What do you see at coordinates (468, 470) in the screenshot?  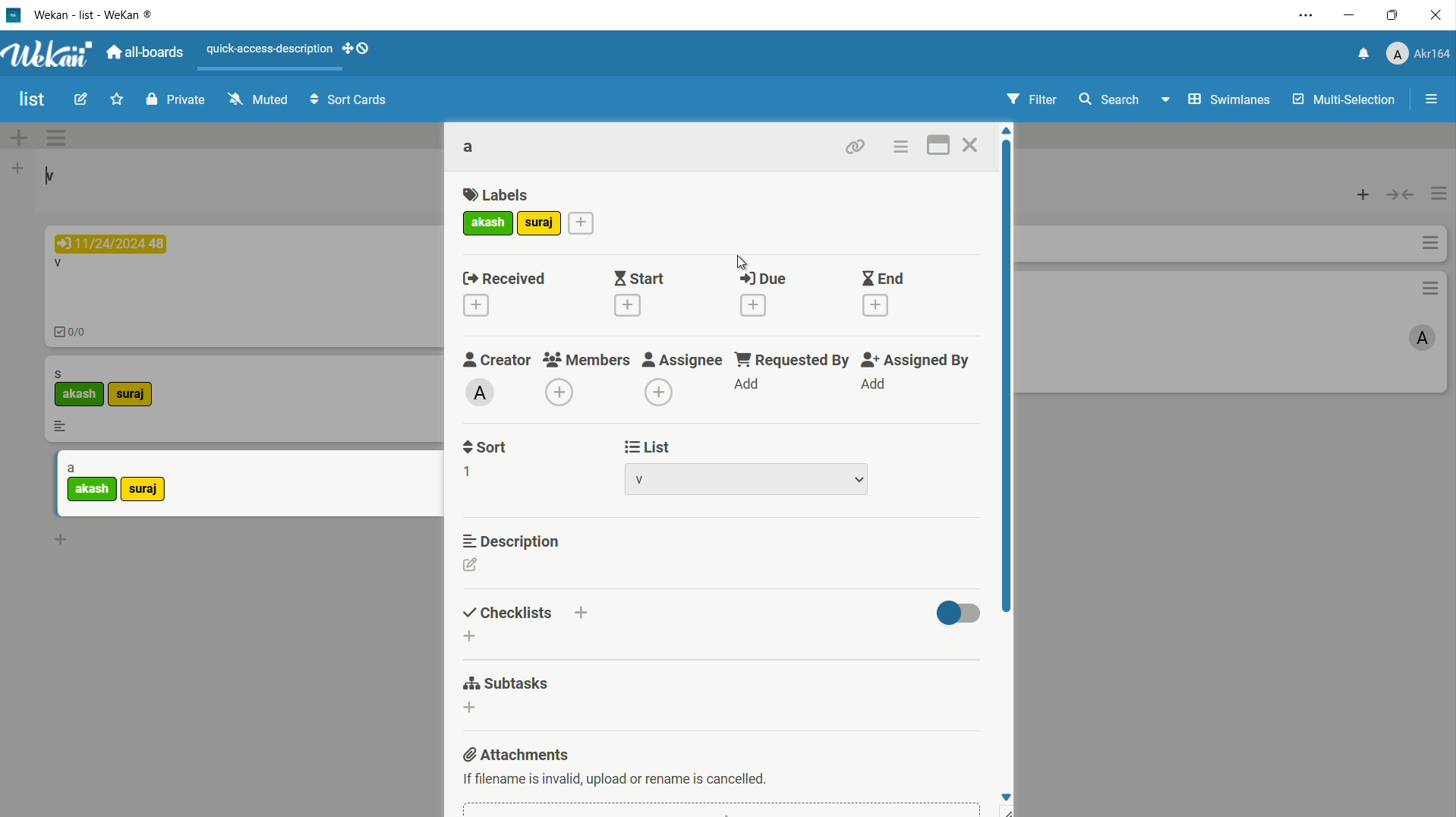 I see `` at bounding box center [468, 470].